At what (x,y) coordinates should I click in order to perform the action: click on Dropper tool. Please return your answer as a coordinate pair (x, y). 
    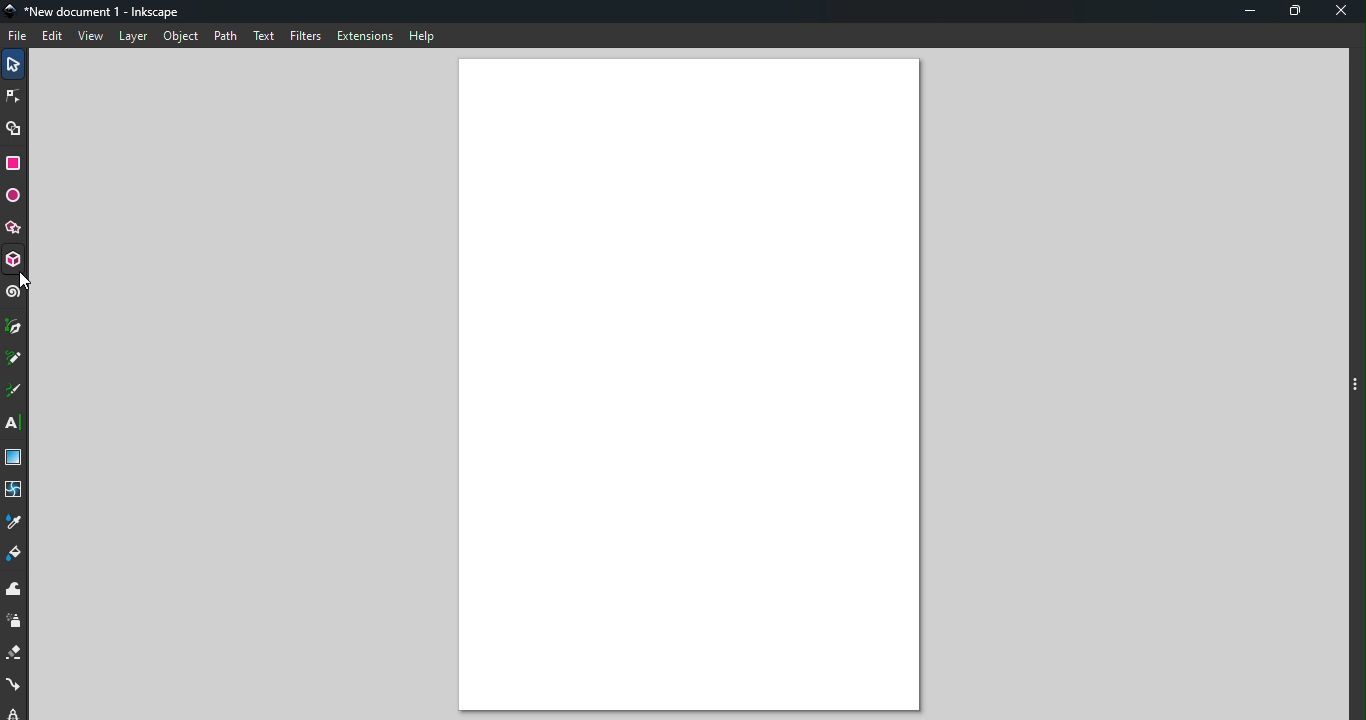
    Looking at the image, I should click on (16, 521).